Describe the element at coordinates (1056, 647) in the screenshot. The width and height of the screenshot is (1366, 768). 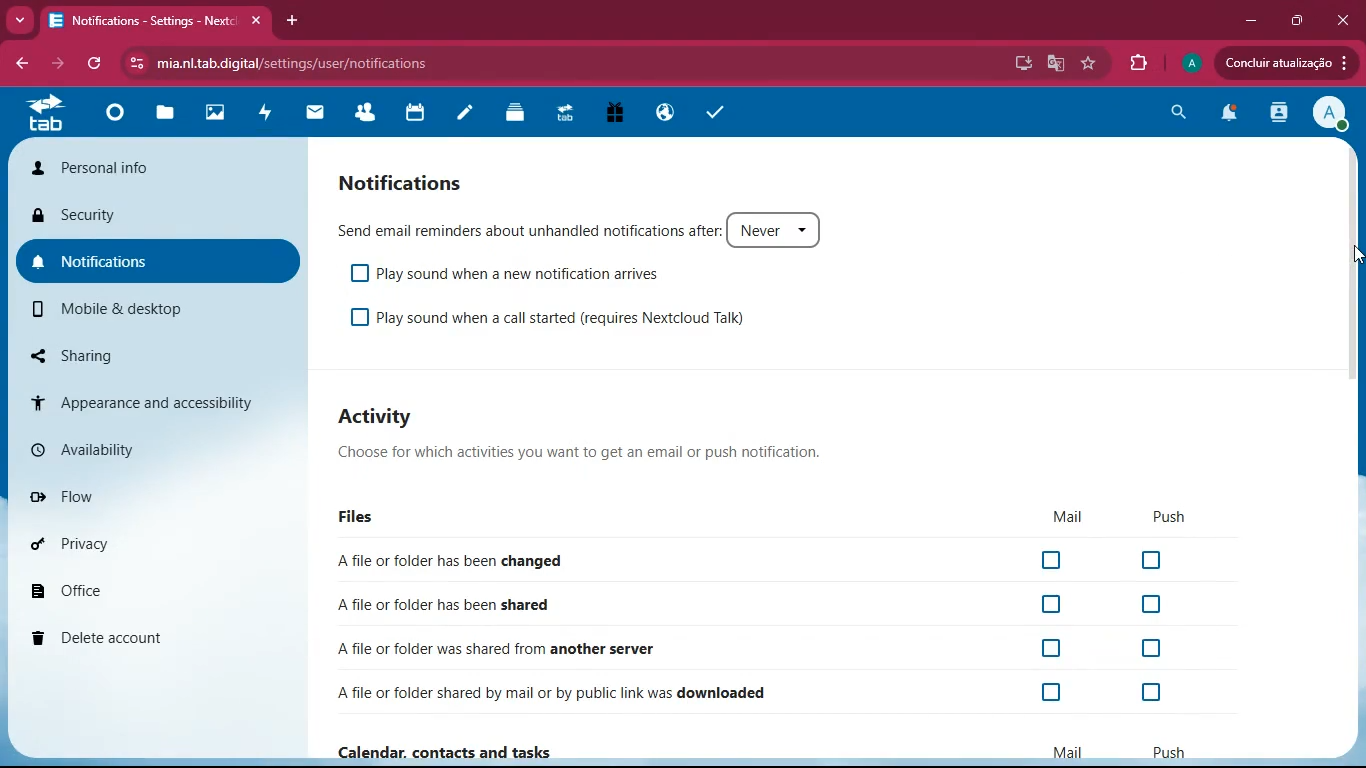
I see `Checkbox` at that location.